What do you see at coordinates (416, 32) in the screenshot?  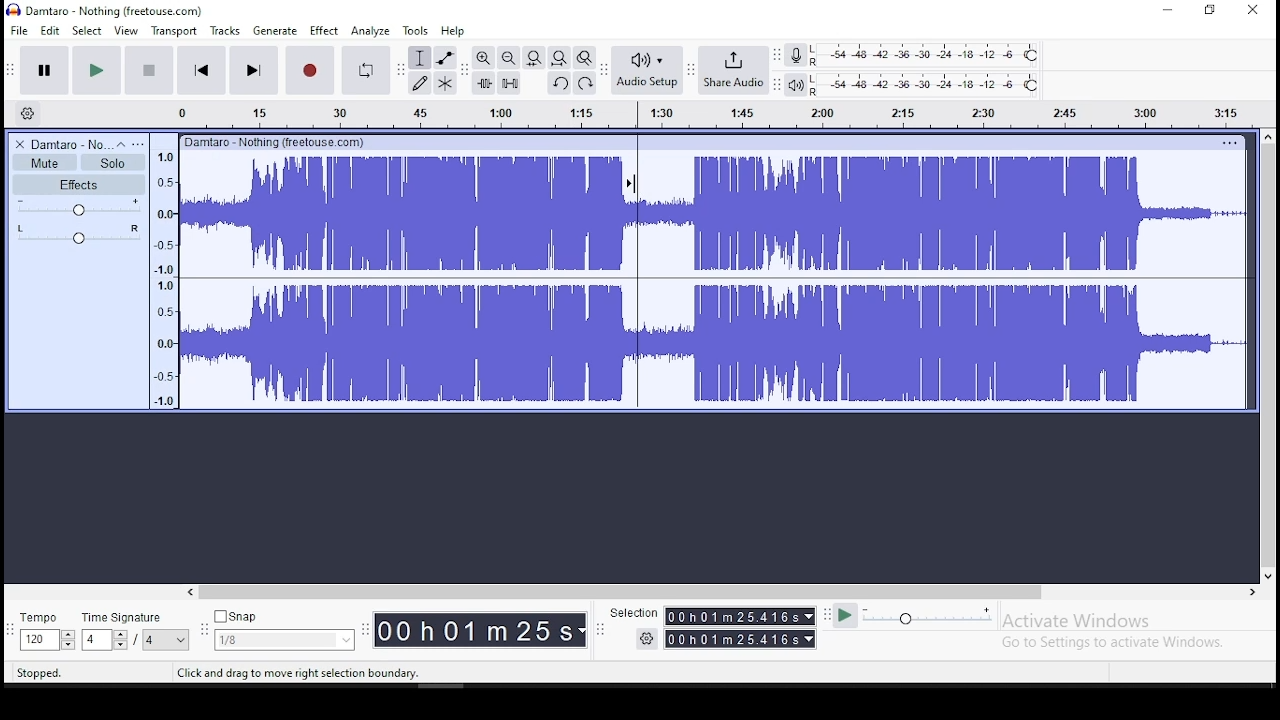 I see `tools` at bounding box center [416, 32].